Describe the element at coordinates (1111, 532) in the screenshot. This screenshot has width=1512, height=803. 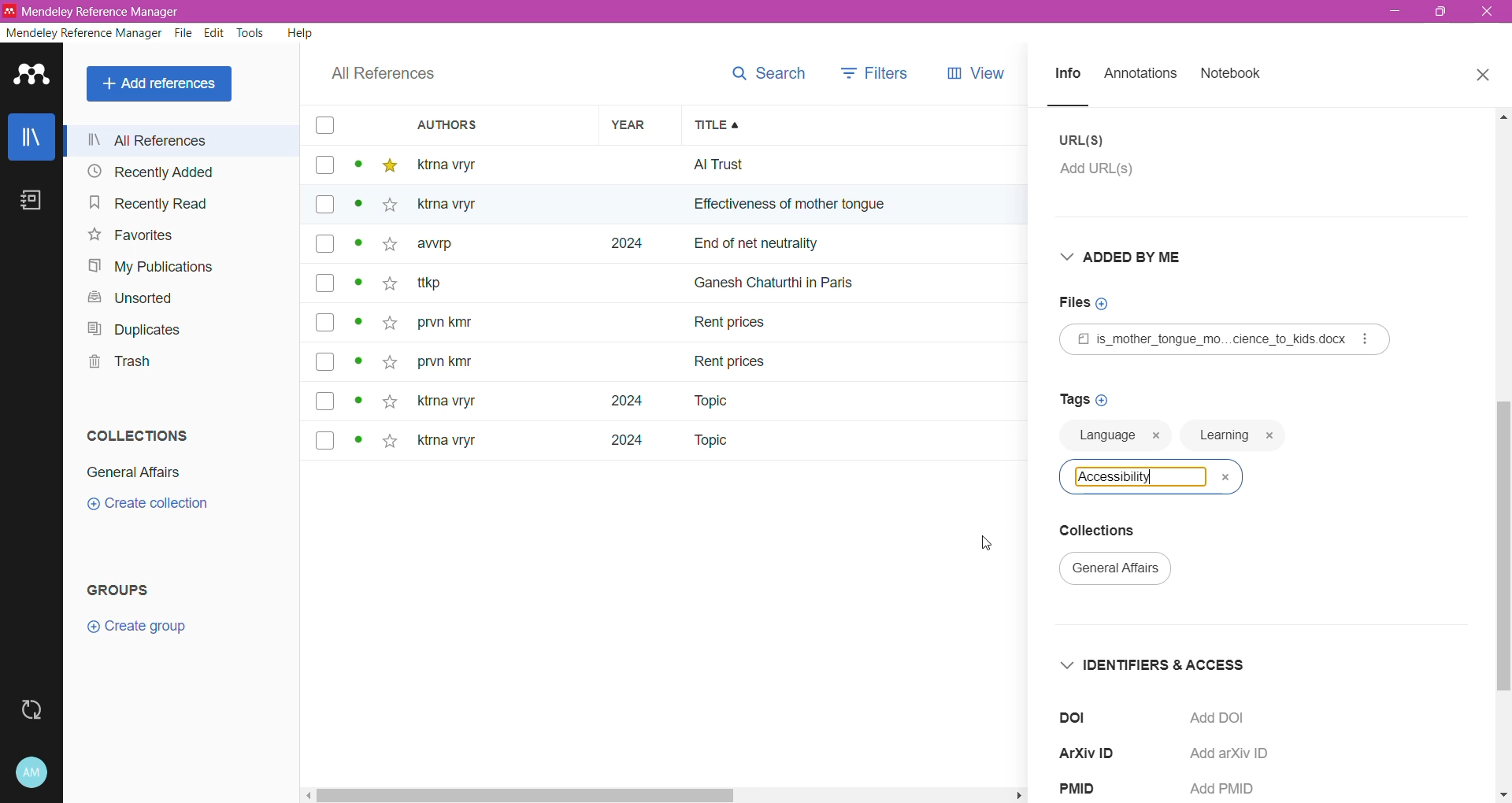
I see `Collections` at that location.